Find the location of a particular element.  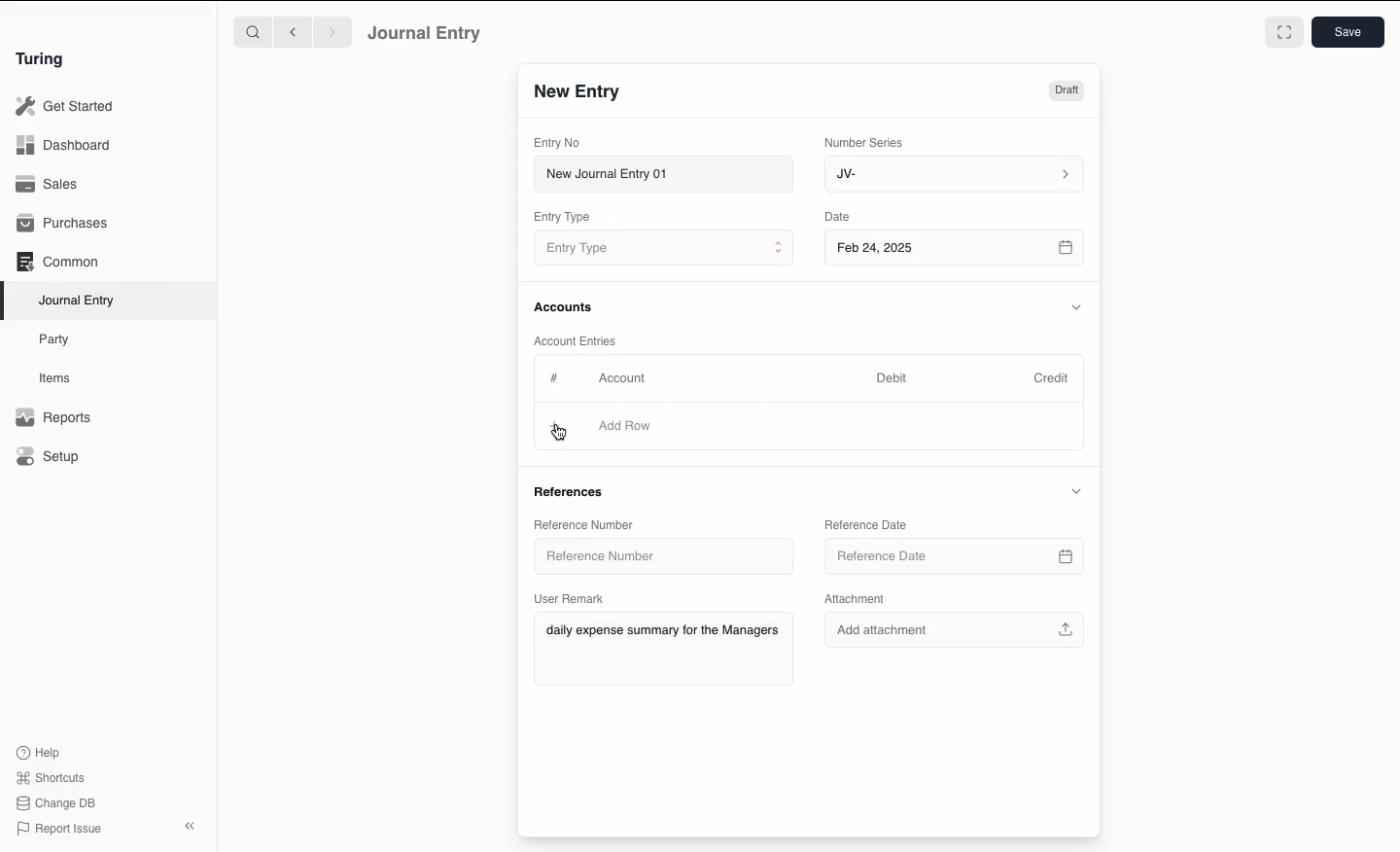

Items is located at coordinates (55, 377).